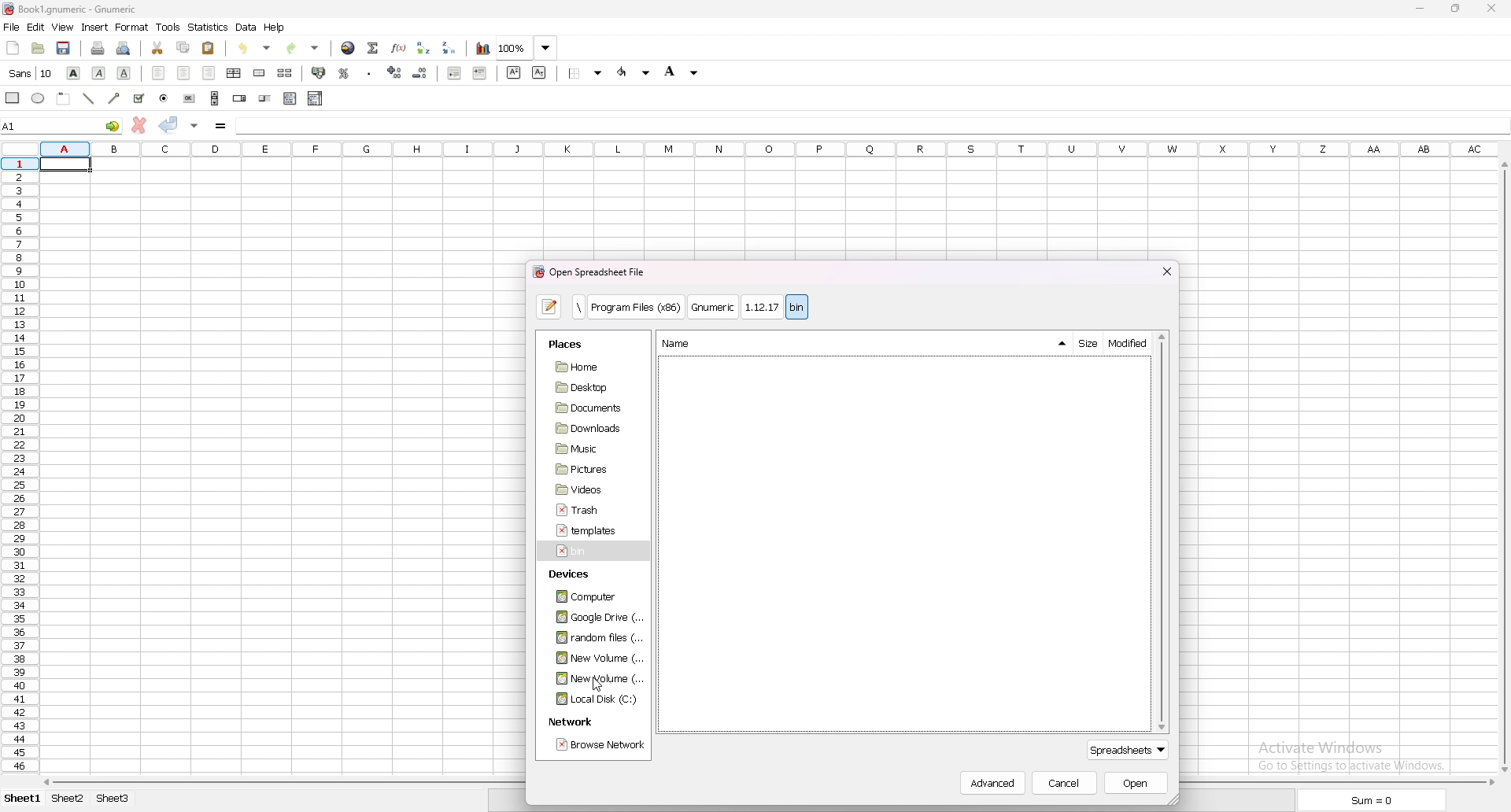  What do you see at coordinates (20, 799) in the screenshot?
I see `sheet1` at bounding box center [20, 799].